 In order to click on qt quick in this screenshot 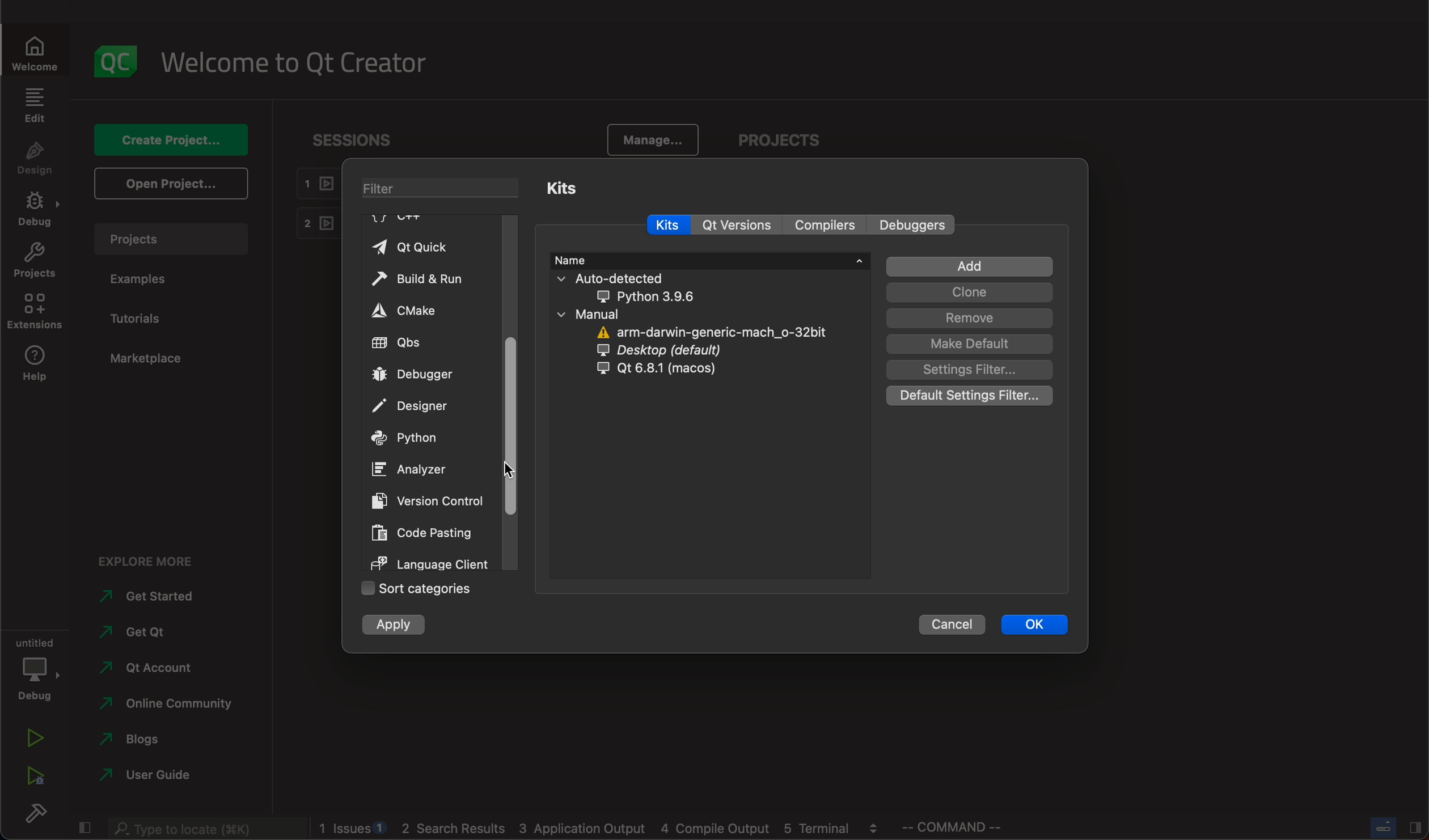, I will do `click(427, 245)`.